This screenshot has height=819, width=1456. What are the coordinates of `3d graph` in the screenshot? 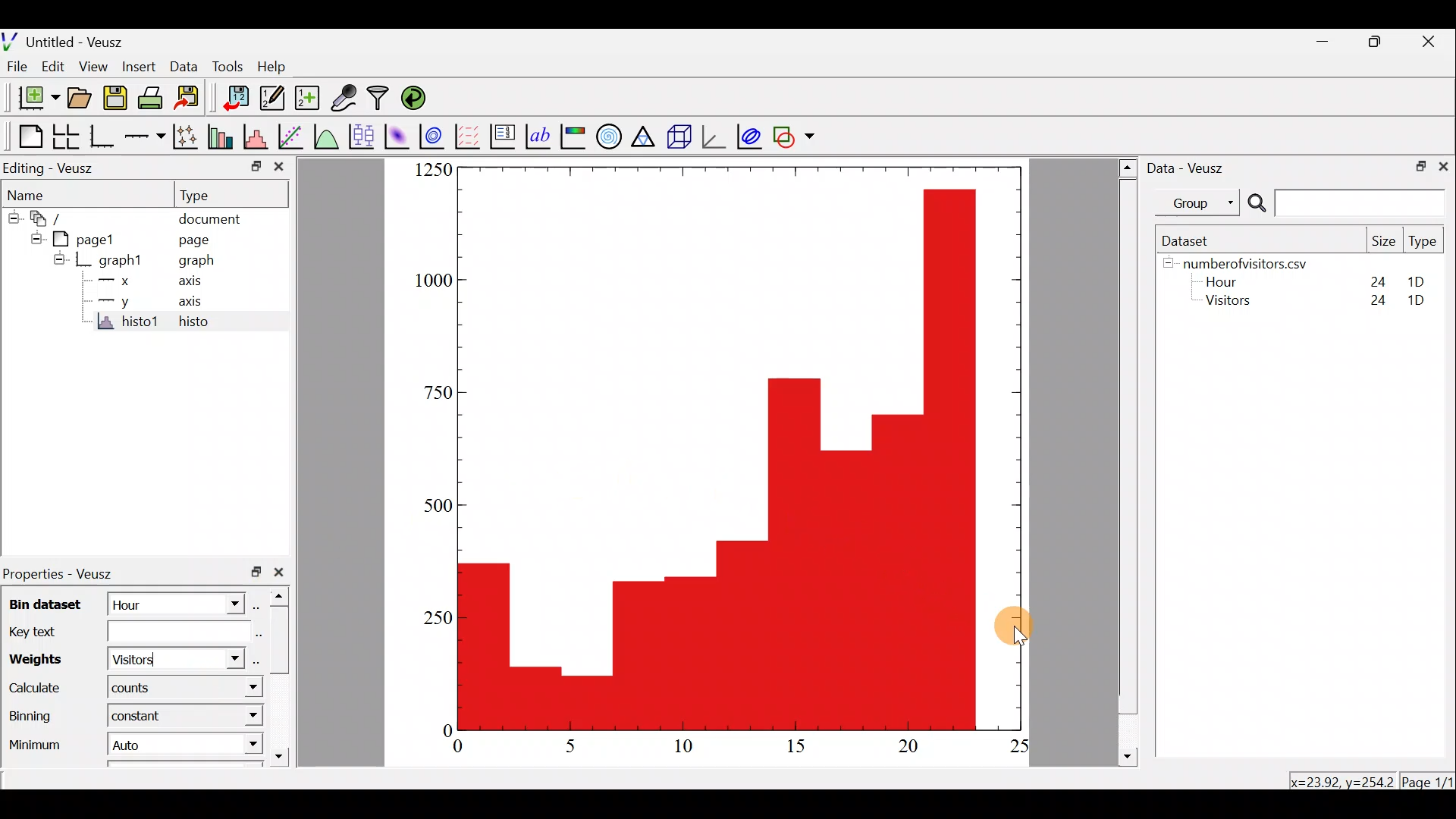 It's located at (717, 136).